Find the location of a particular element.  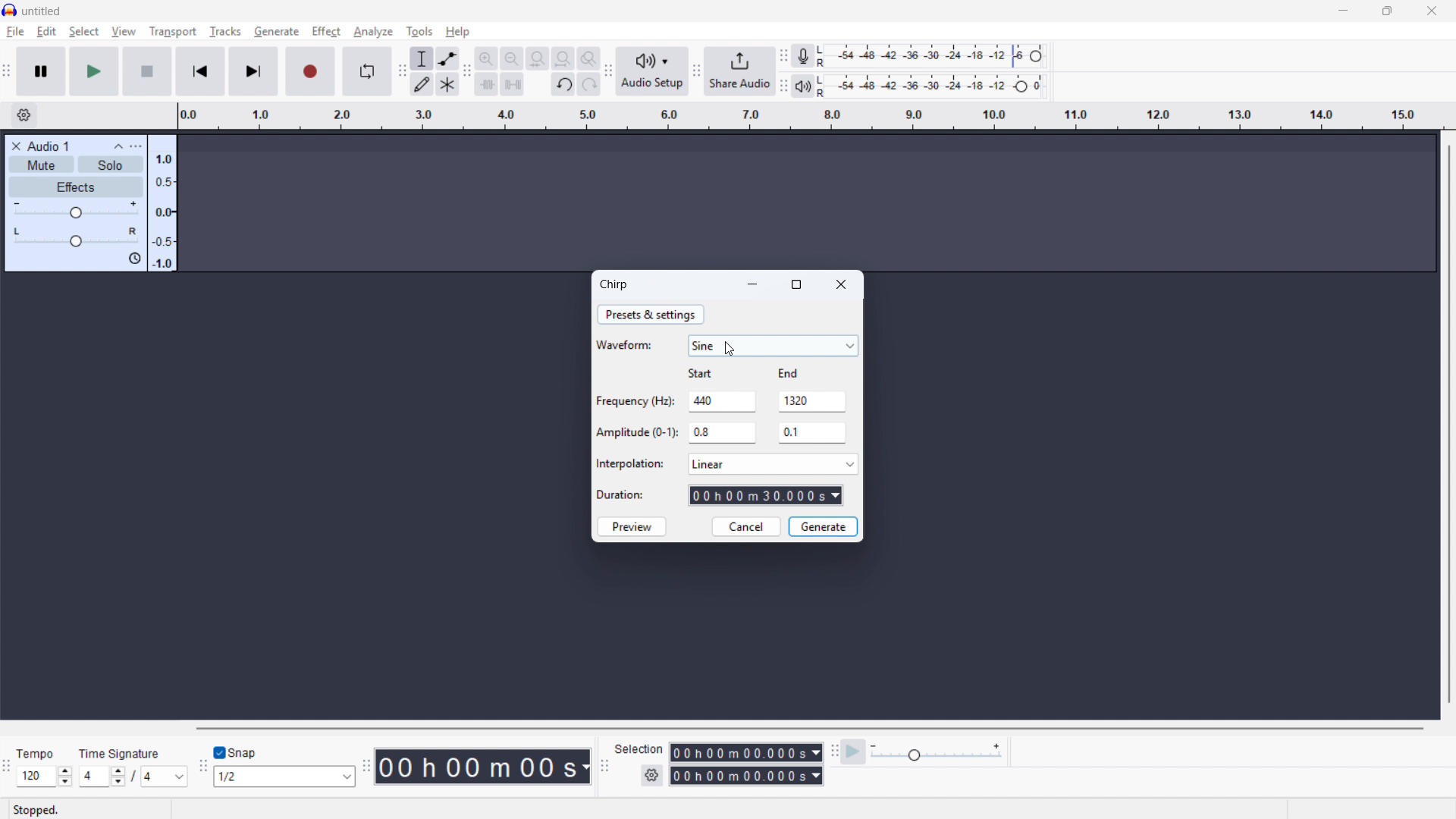

Status: stopped is located at coordinates (39, 809).